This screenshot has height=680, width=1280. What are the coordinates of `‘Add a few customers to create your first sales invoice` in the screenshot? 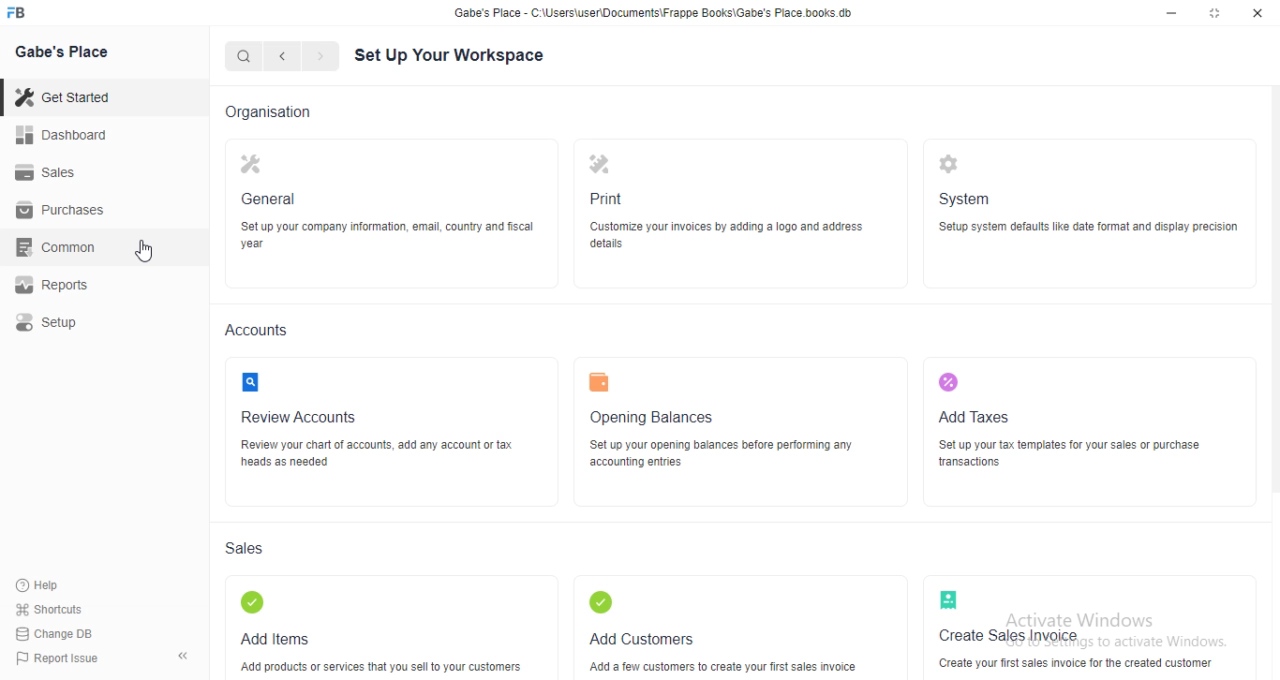 It's located at (730, 667).